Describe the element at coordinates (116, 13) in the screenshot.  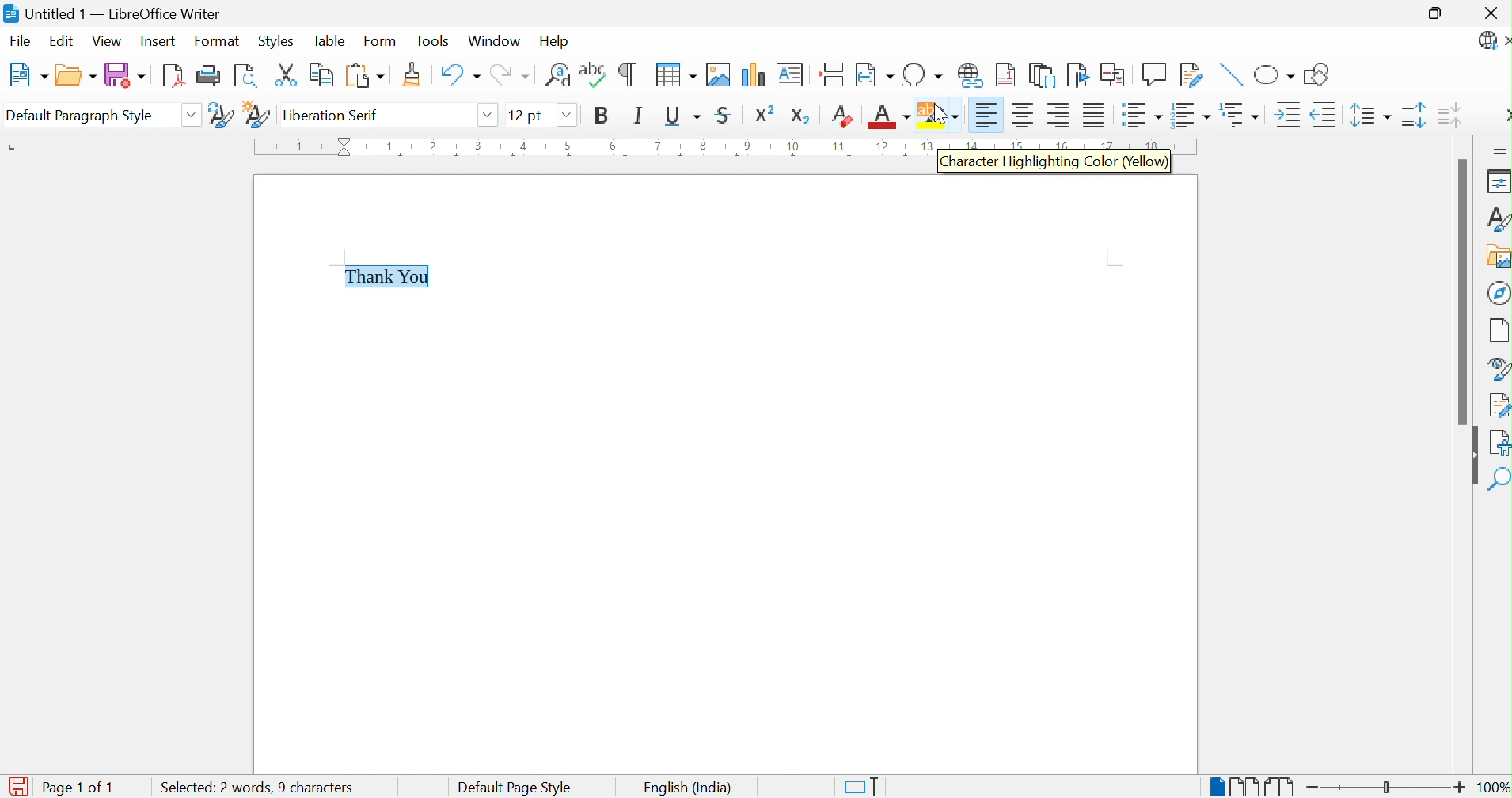
I see `Untitled 1 - LibreOffice Writer ` at that location.